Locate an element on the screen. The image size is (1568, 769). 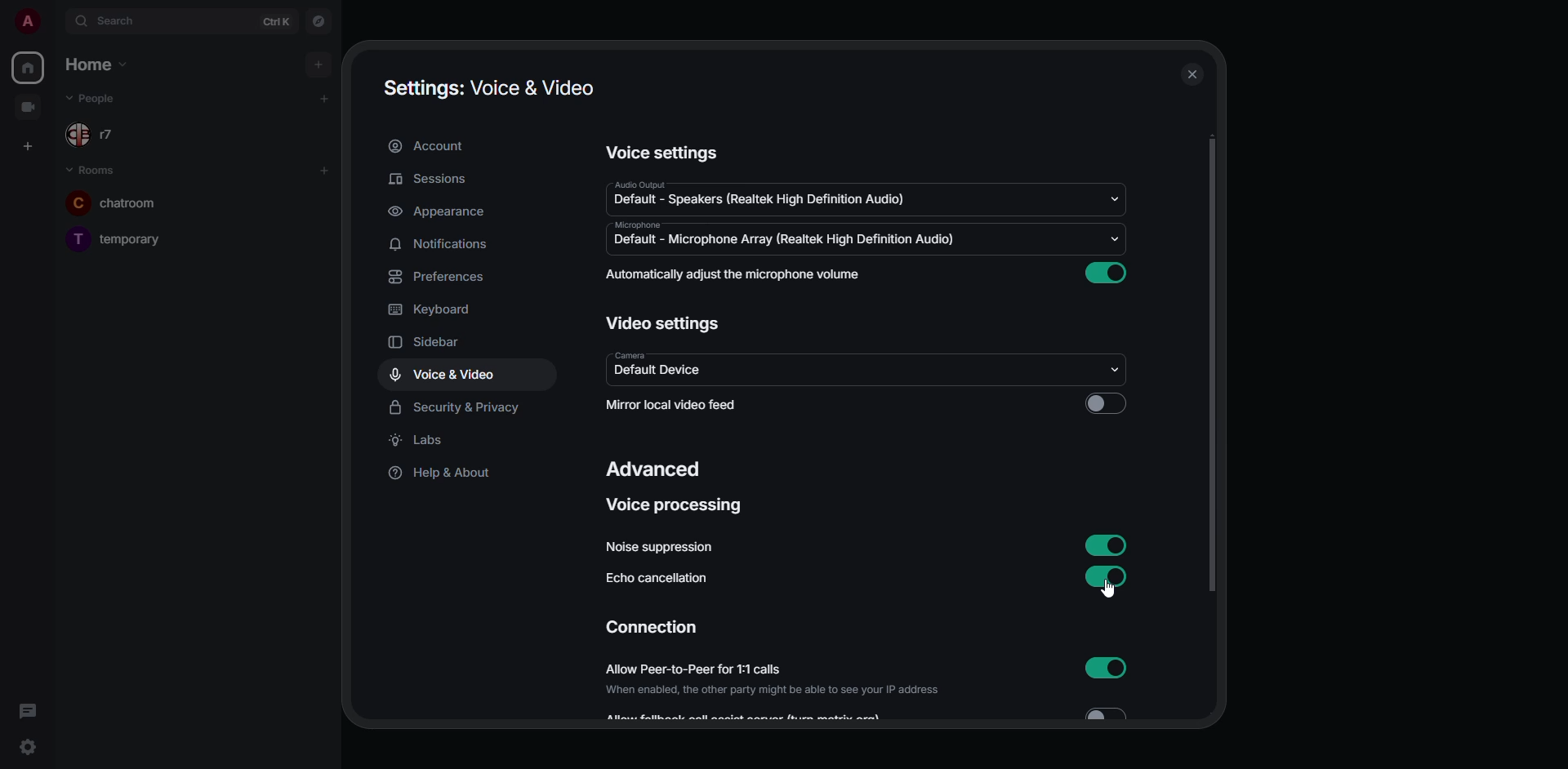
video room is located at coordinates (33, 105).